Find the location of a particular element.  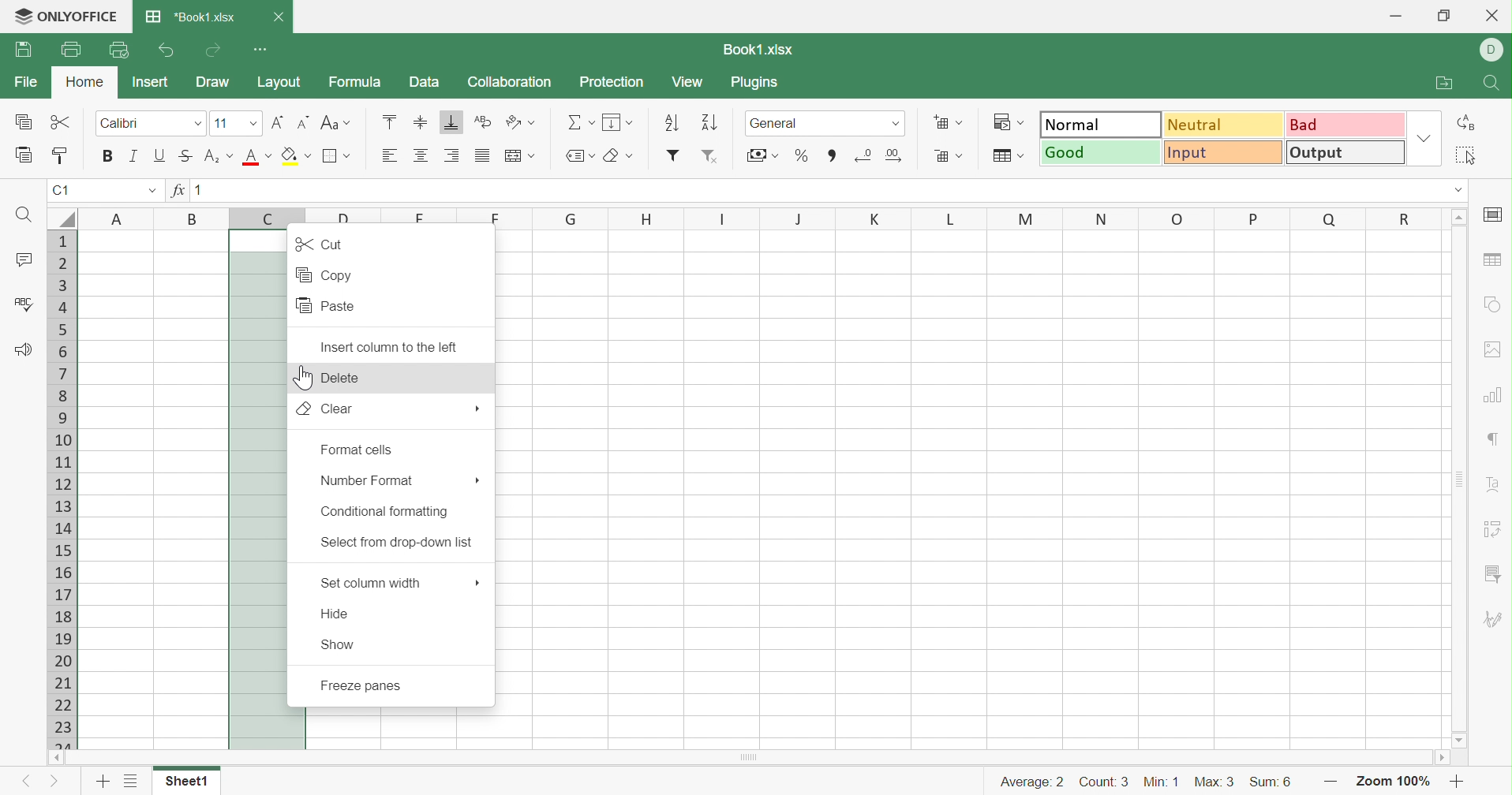

Image settings is located at coordinates (1495, 351).